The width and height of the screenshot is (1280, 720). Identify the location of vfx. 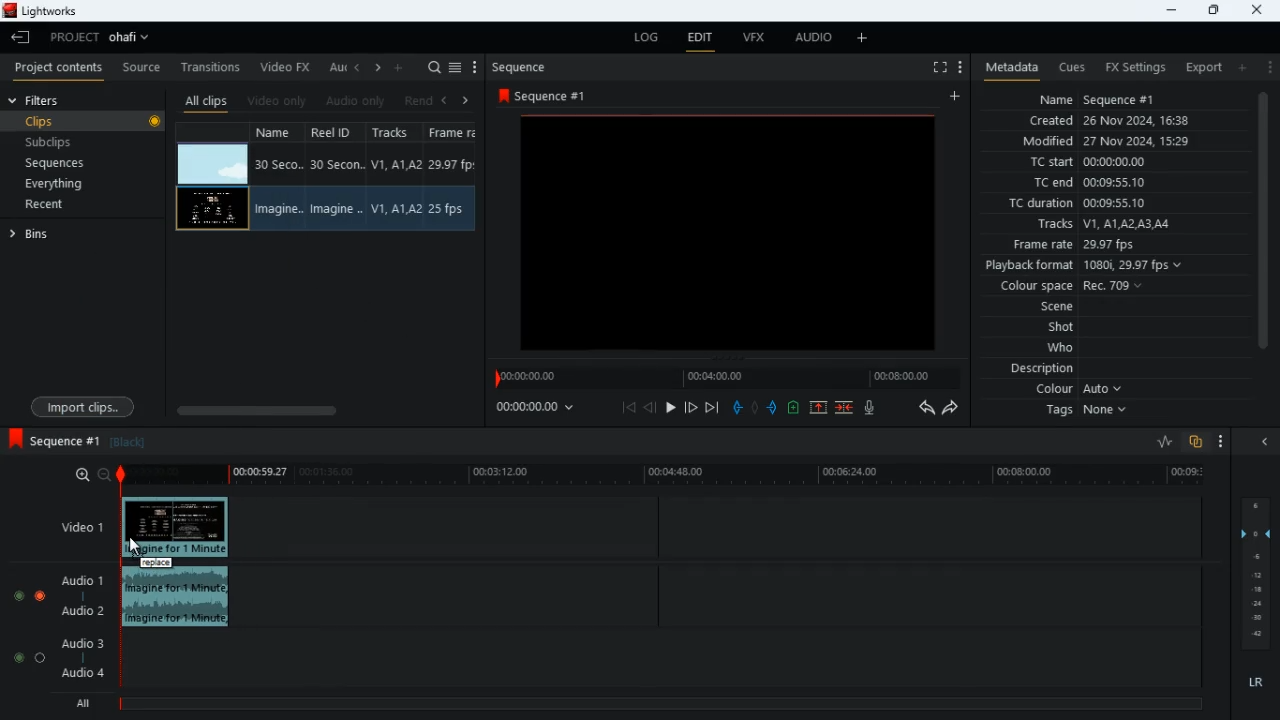
(752, 39).